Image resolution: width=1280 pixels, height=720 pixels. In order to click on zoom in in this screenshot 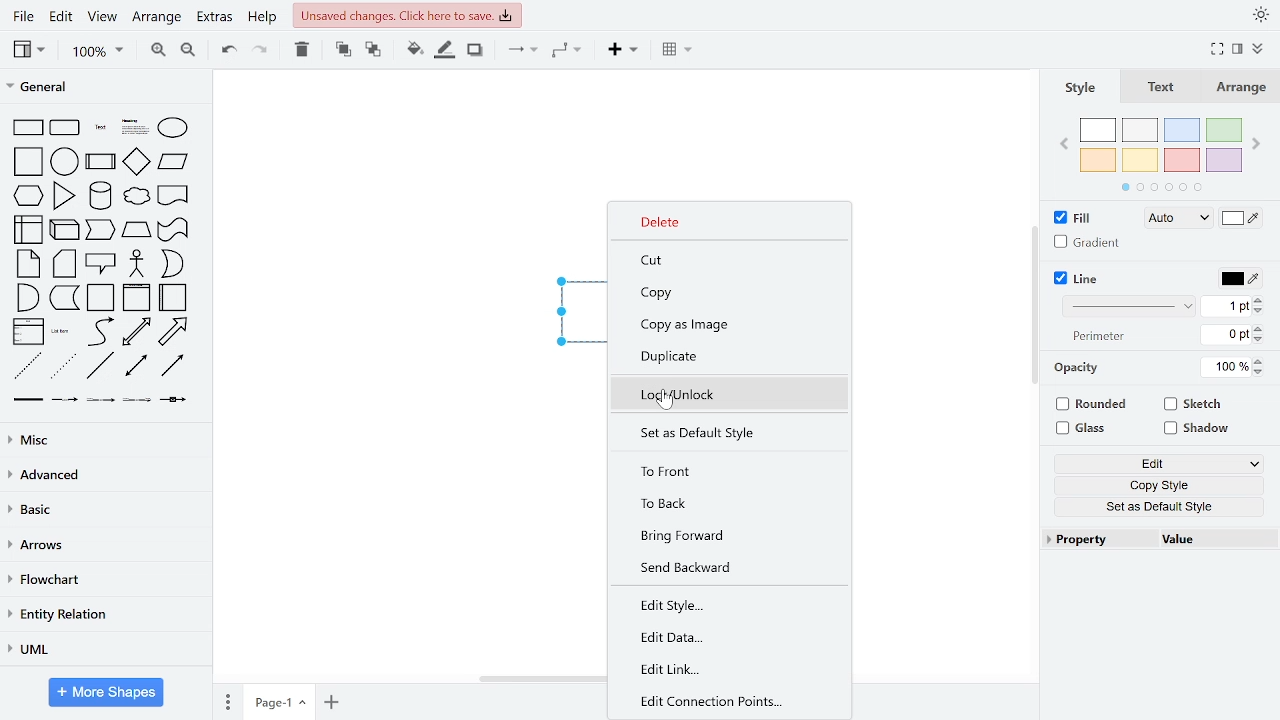, I will do `click(154, 50)`.